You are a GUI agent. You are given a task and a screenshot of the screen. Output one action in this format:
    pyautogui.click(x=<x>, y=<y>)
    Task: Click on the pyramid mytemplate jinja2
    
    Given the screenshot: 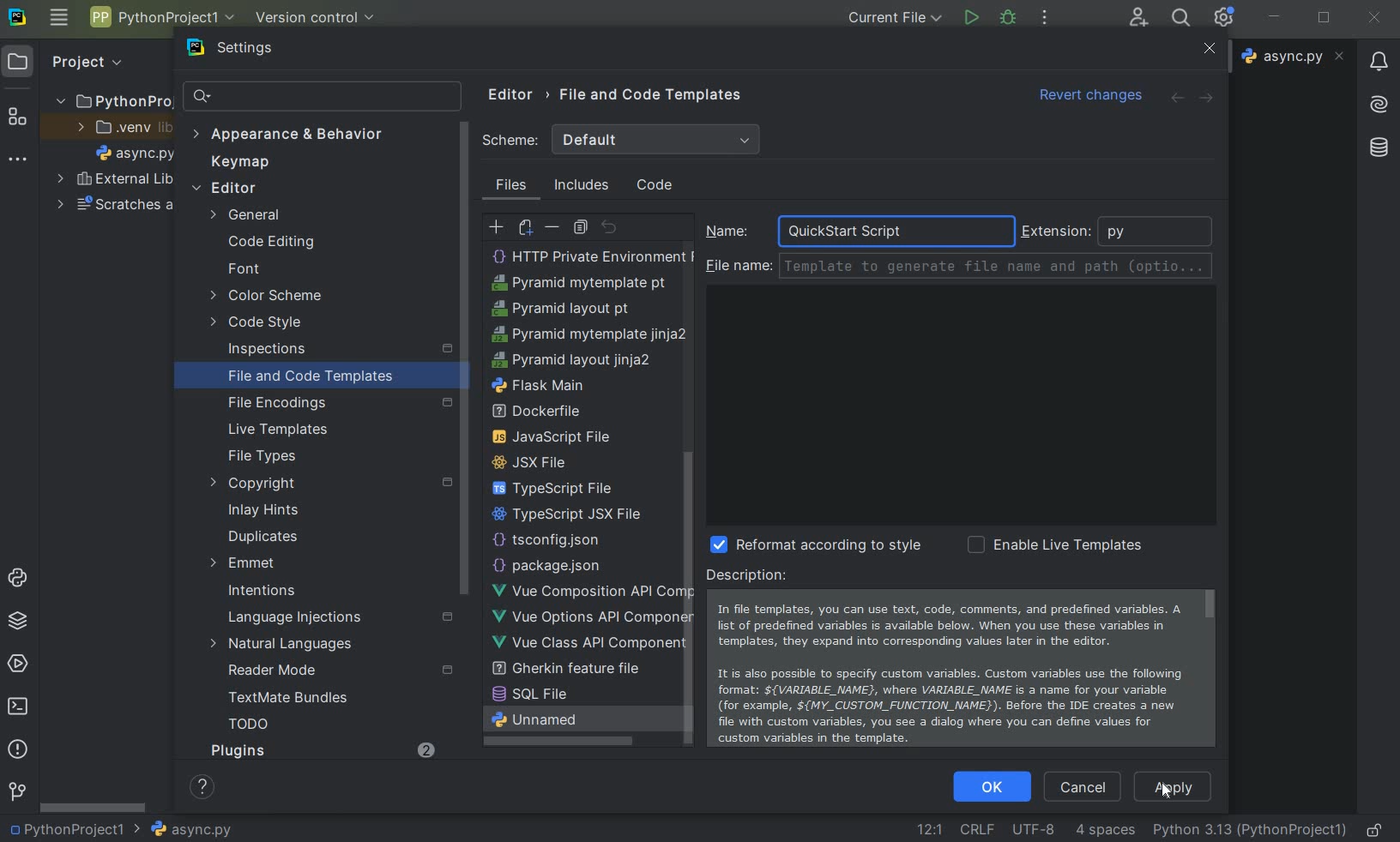 What is the action you would take?
    pyautogui.click(x=588, y=692)
    